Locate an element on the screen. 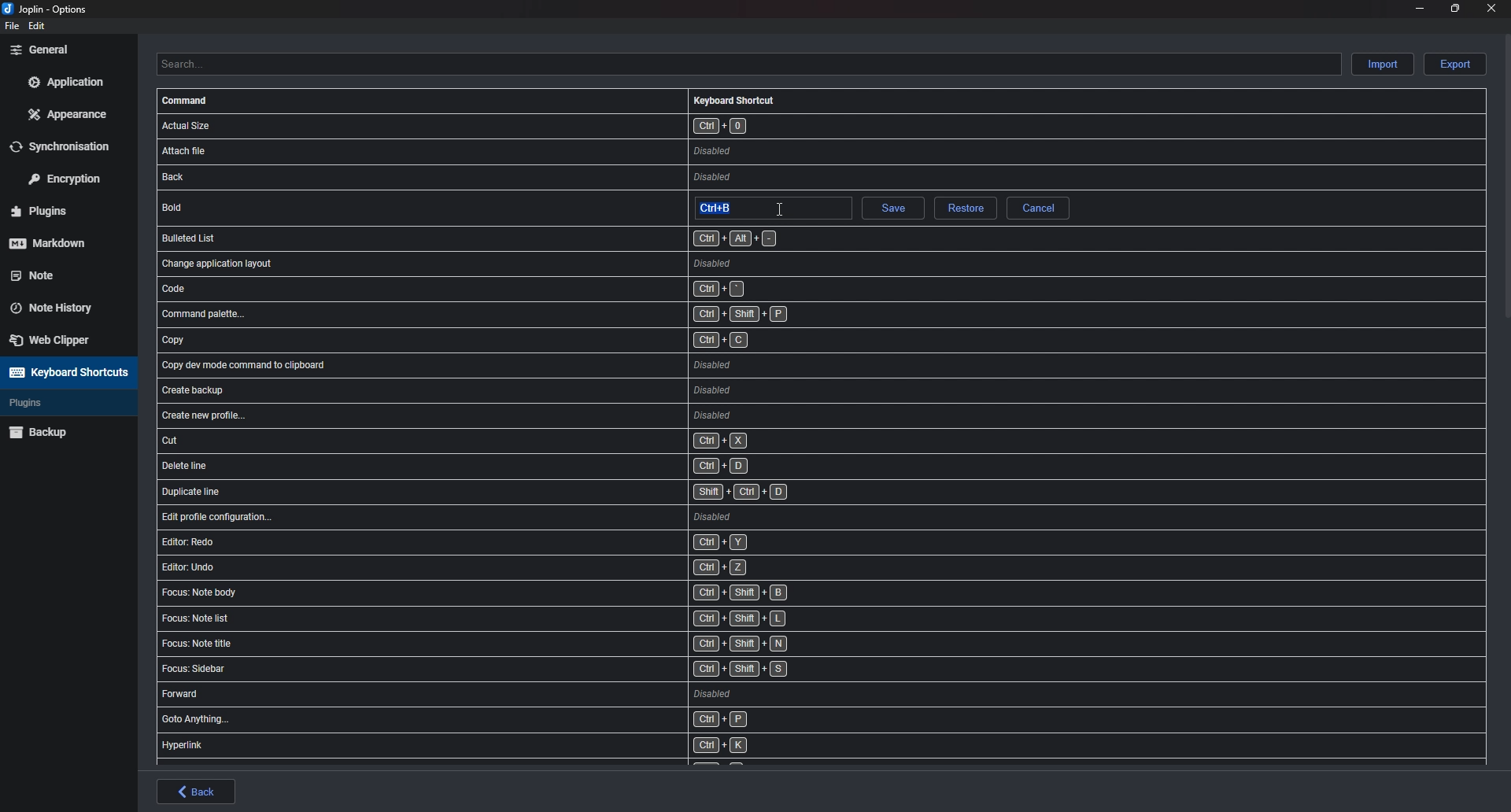  shortcut is located at coordinates (534, 365).